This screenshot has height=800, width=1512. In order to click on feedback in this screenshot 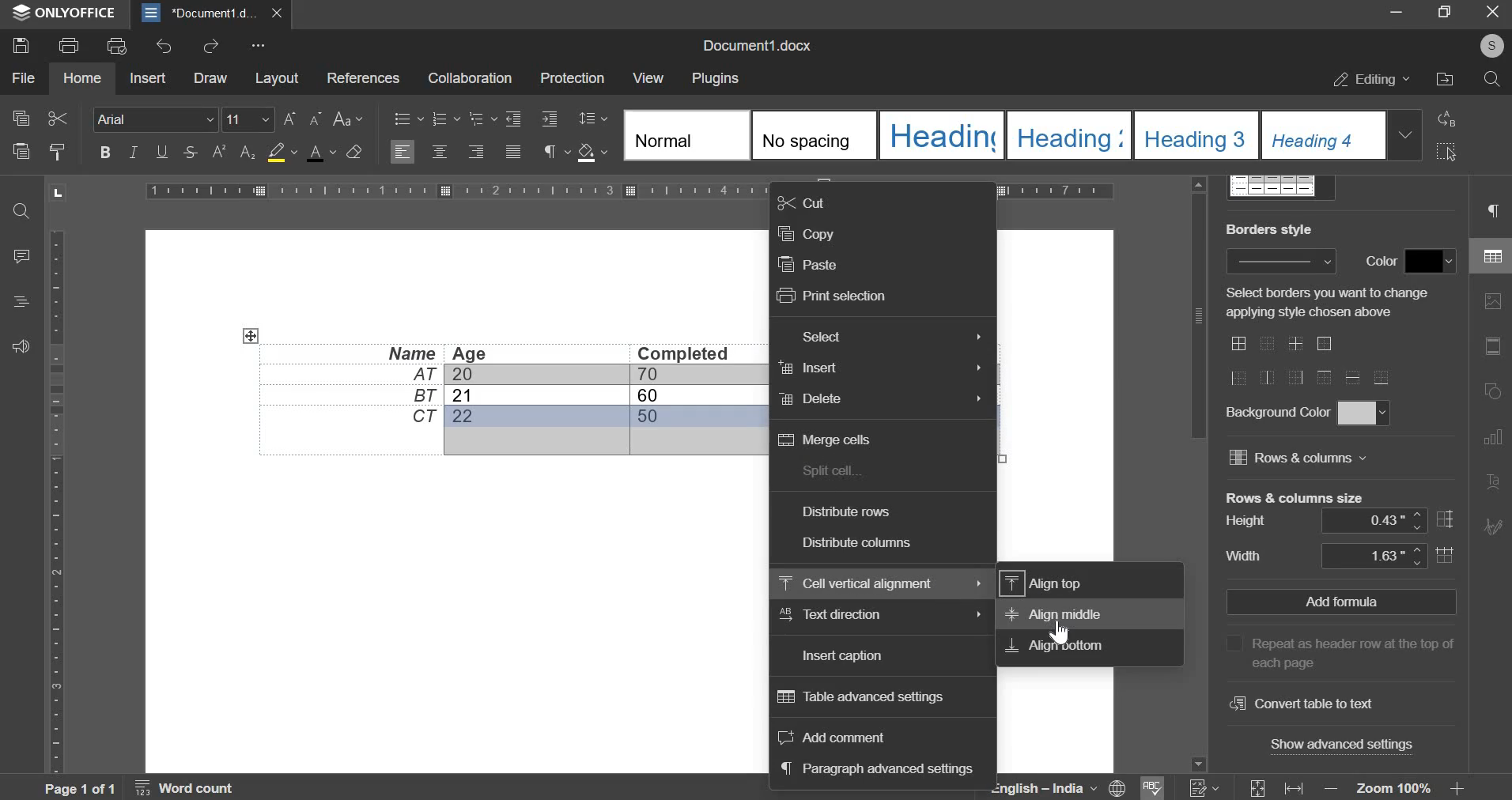, I will do `click(23, 346)`.